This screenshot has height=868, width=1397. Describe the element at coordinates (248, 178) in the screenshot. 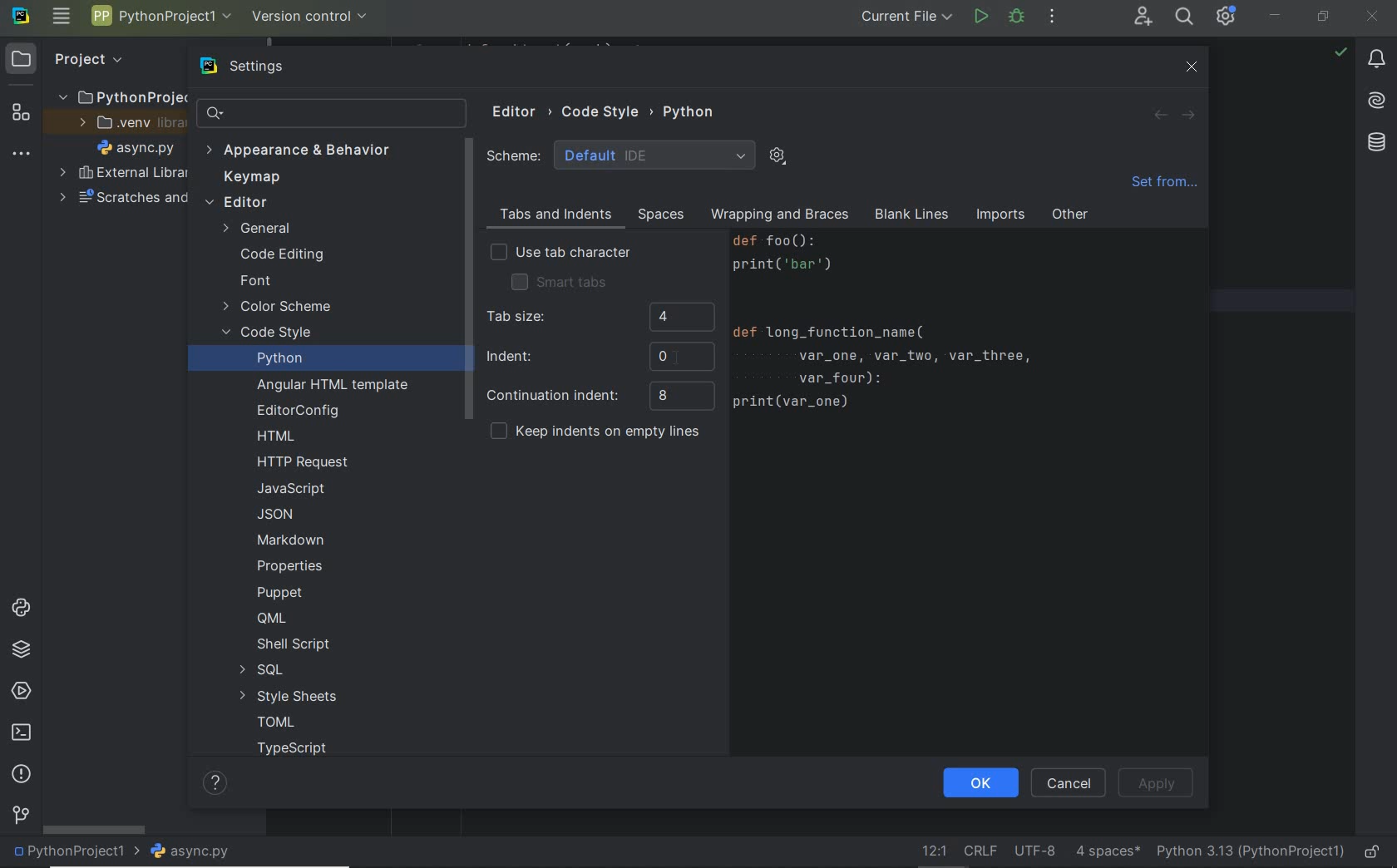

I see `Keymap` at that location.